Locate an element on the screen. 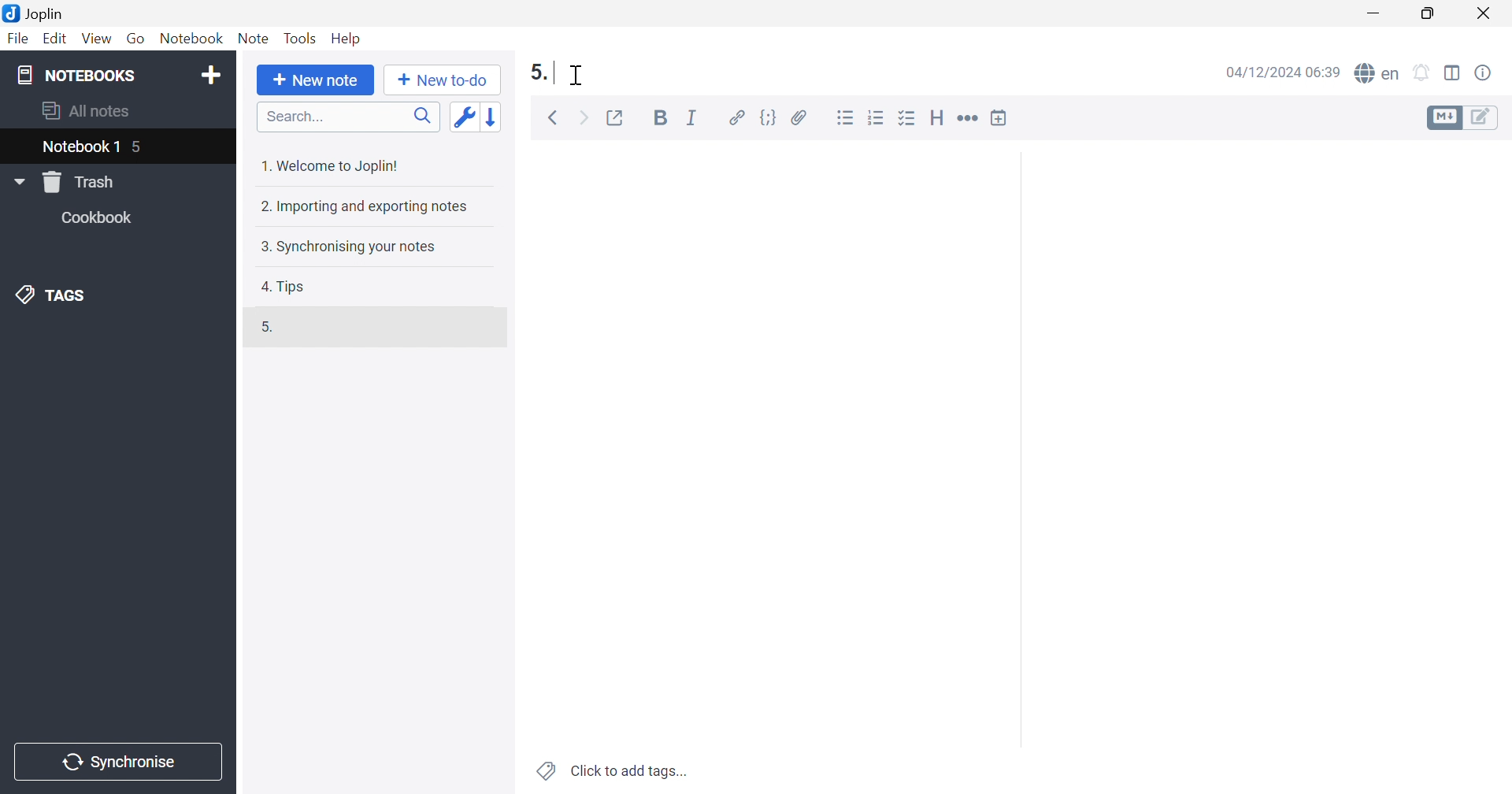 This screenshot has height=794, width=1512. NOTEBOOKS is located at coordinates (73, 74).